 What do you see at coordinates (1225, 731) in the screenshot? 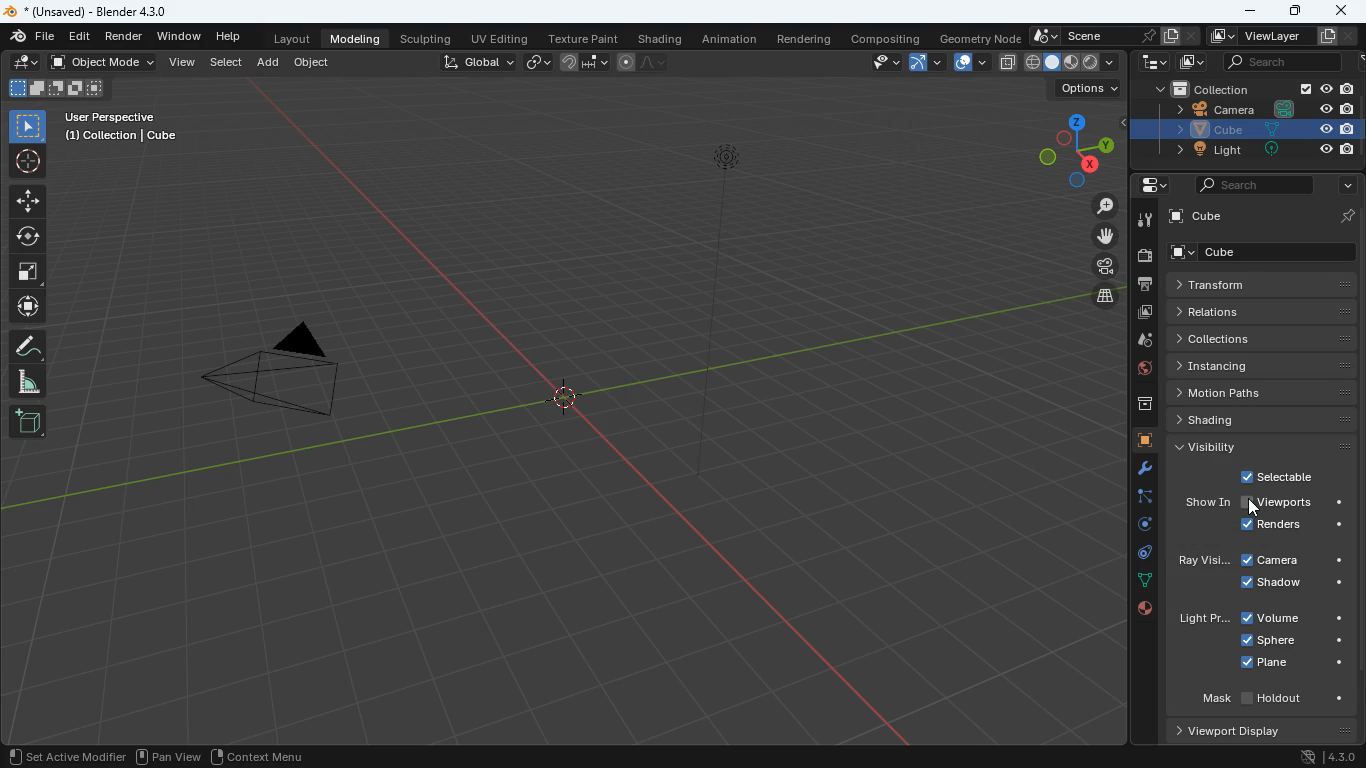
I see `Viewport Display` at bounding box center [1225, 731].